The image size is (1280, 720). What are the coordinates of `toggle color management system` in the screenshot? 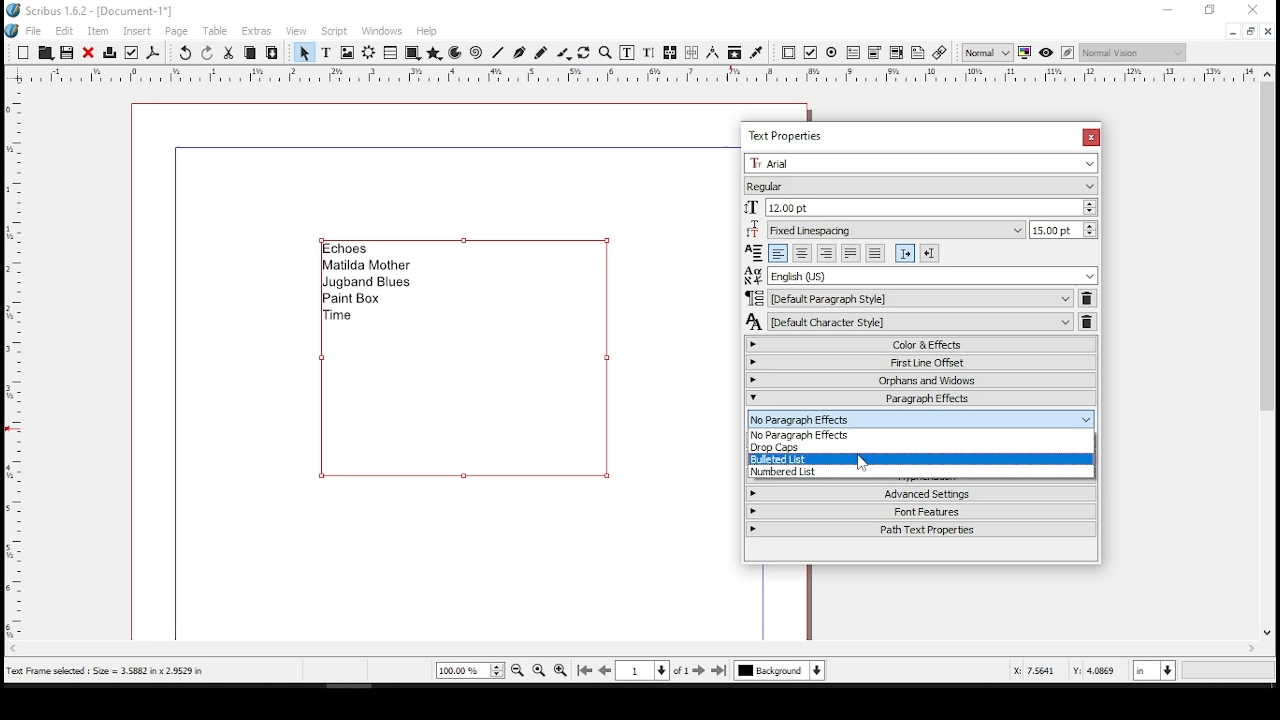 It's located at (1024, 54).